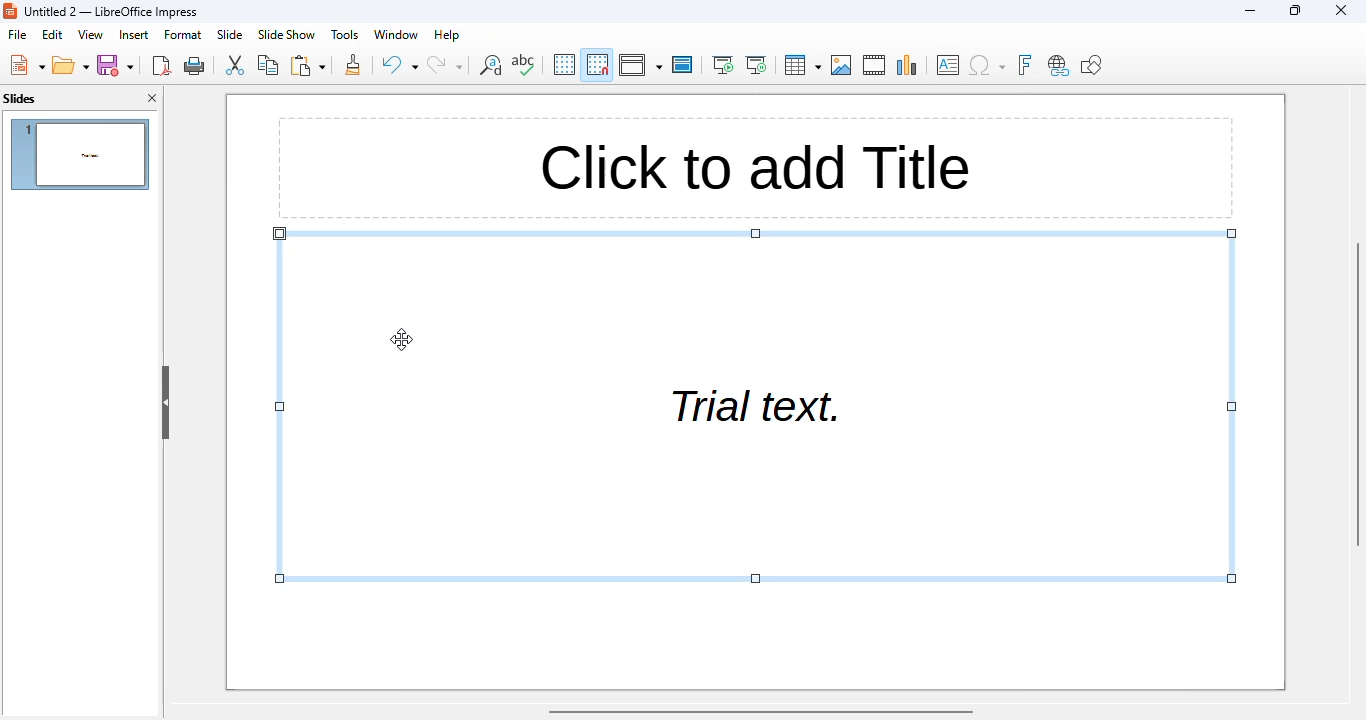  What do you see at coordinates (183, 34) in the screenshot?
I see `format` at bounding box center [183, 34].